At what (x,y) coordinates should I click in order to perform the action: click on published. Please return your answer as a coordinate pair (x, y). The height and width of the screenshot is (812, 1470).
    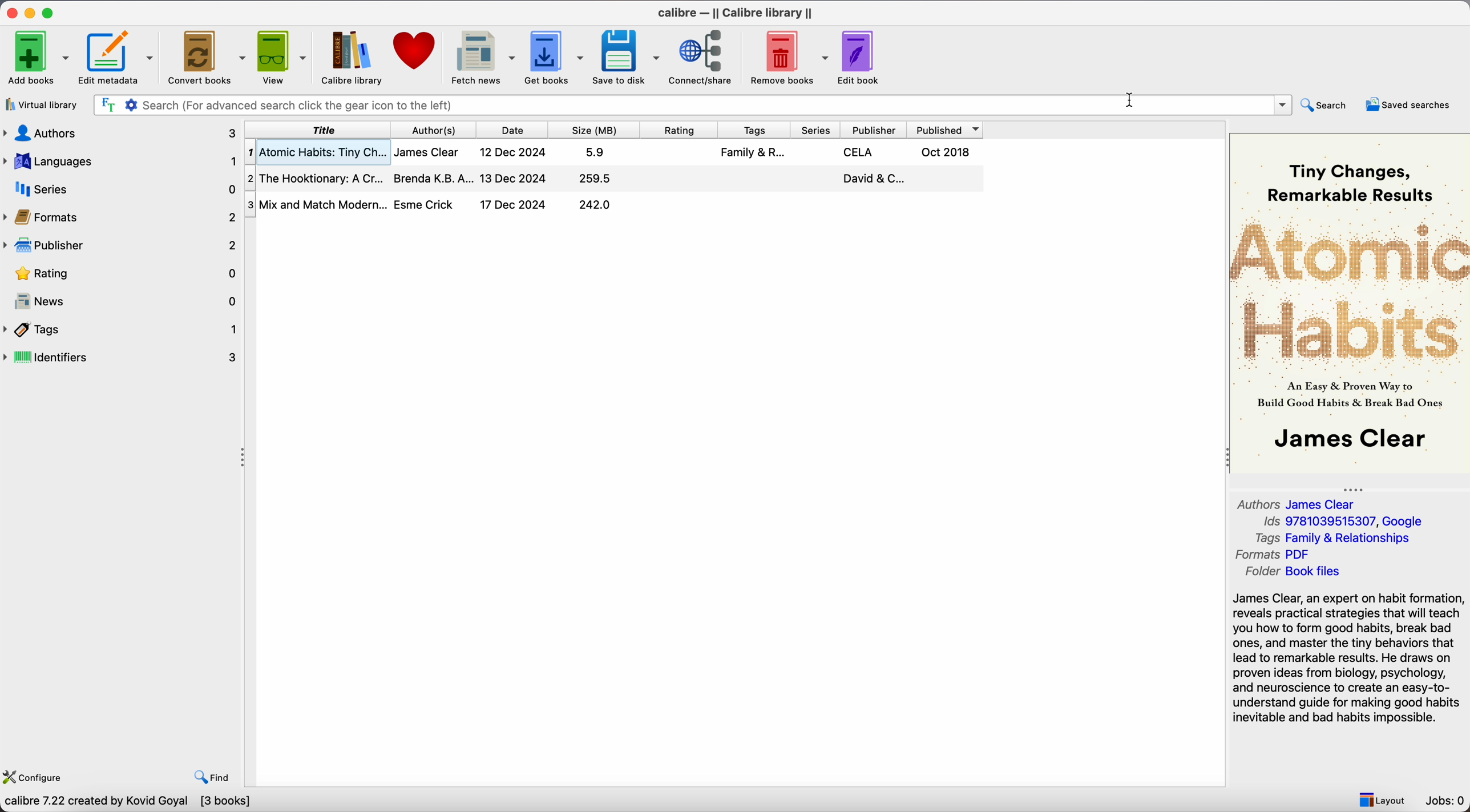
    Looking at the image, I should click on (949, 130).